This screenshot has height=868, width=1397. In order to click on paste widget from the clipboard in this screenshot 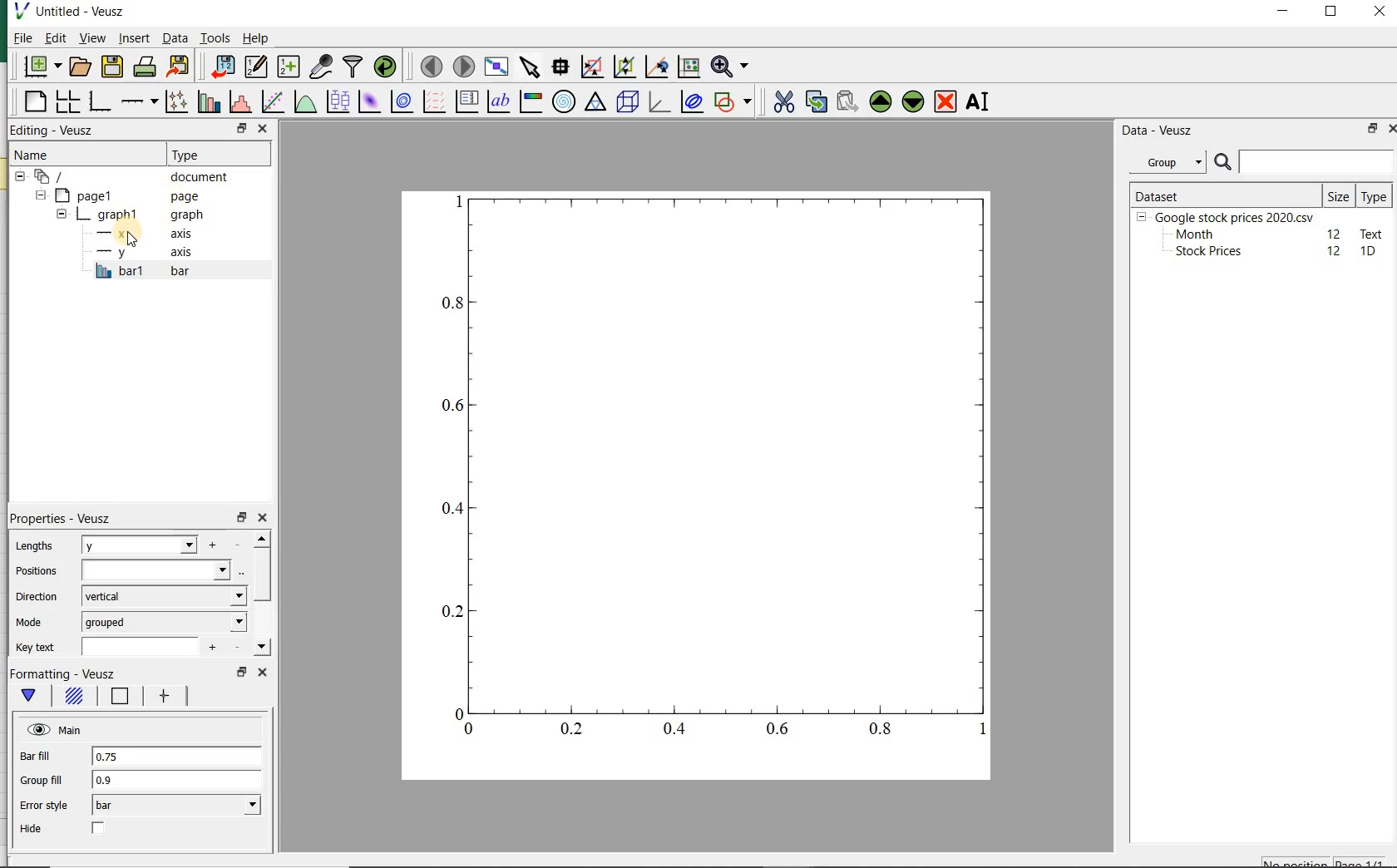, I will do `click(847, 102)`.